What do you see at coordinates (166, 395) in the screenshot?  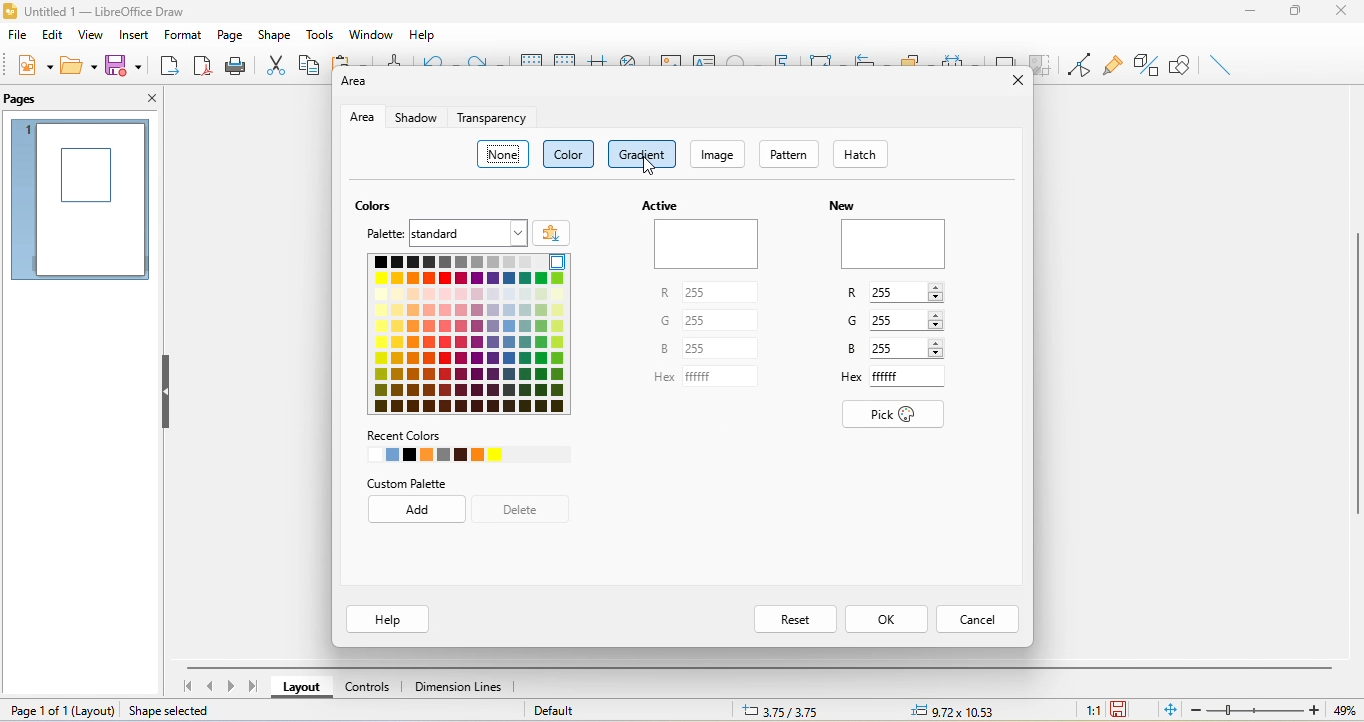 I see `hide` at bounding box center [166, 395].